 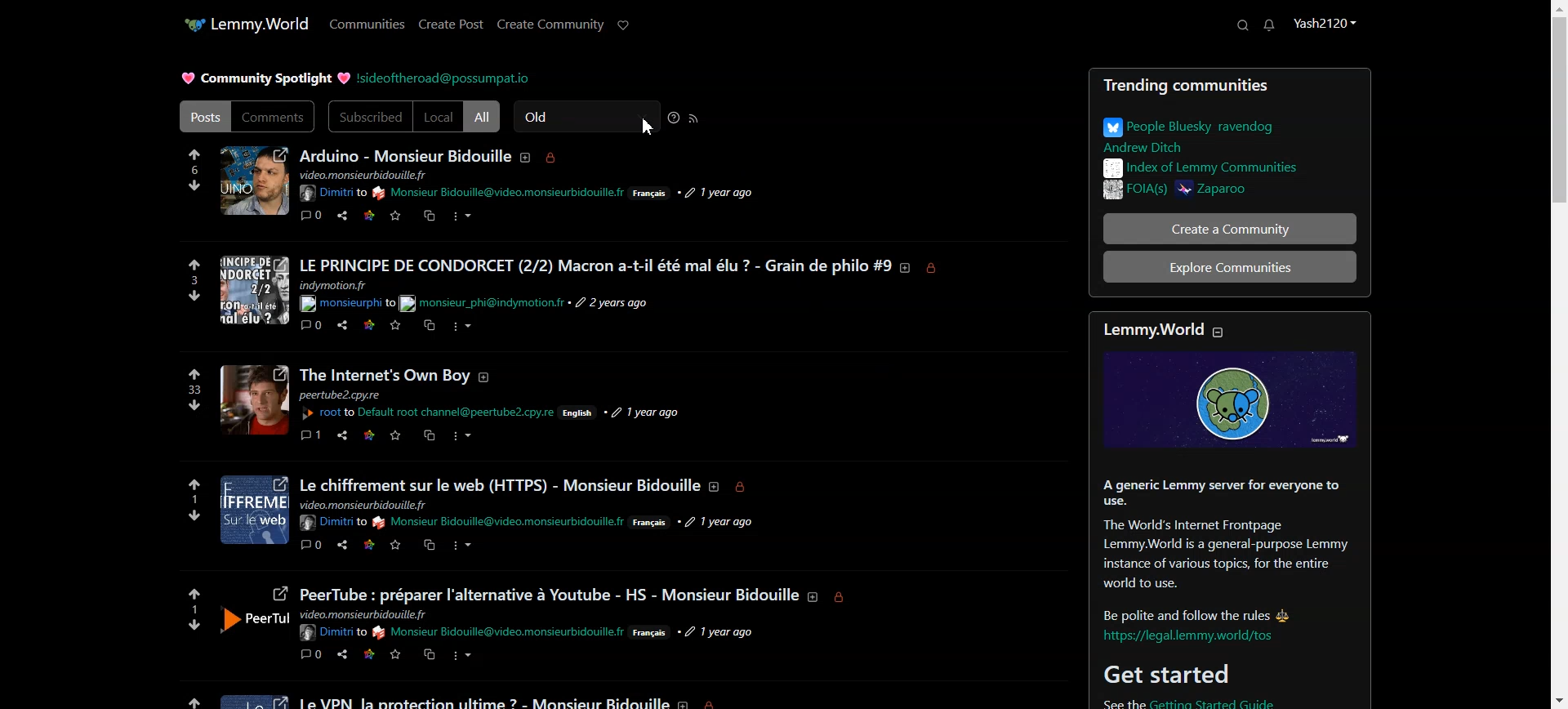 I want to click on downvotes, so click(x=195, y=405).